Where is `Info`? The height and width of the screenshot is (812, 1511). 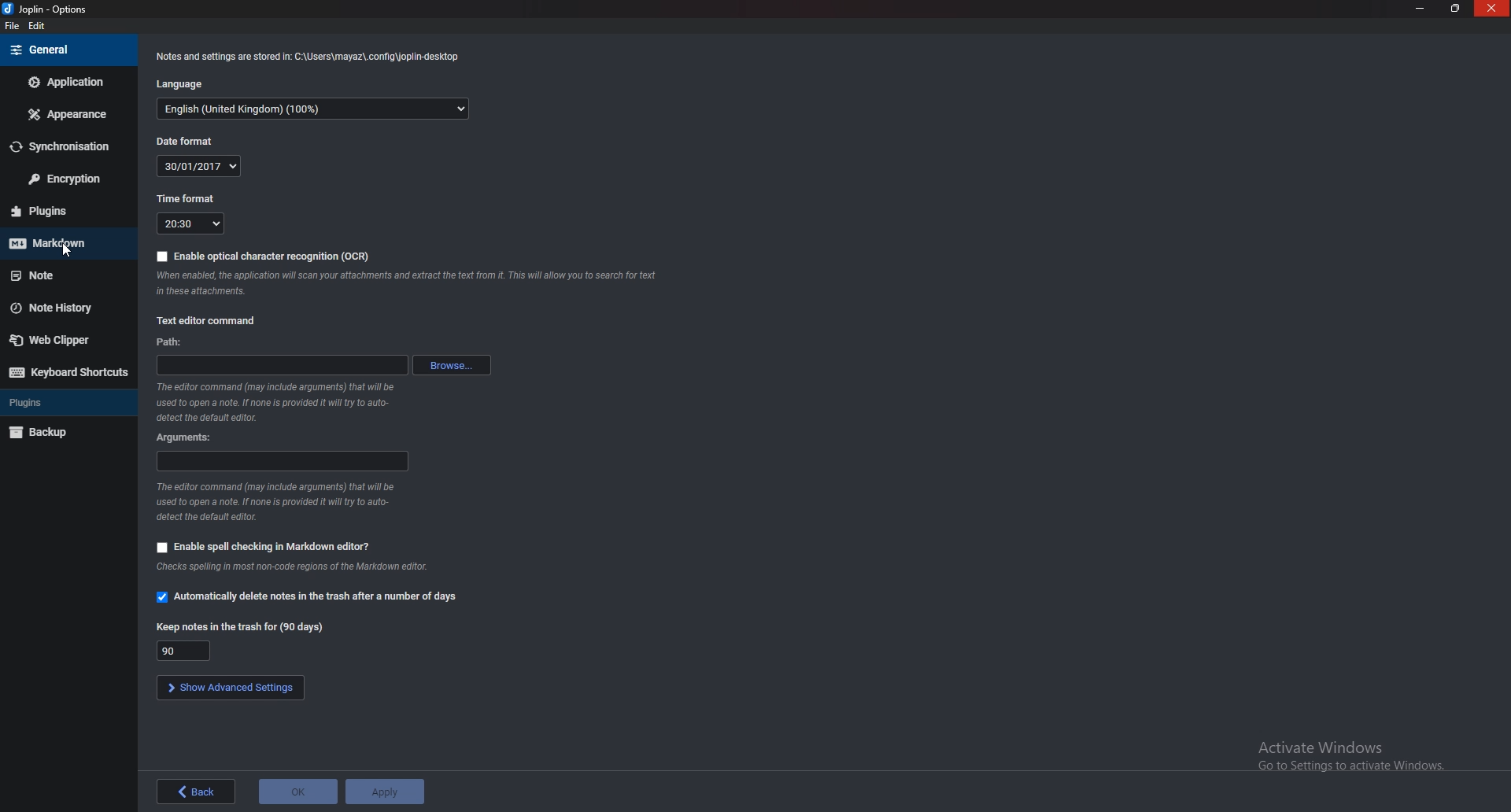
Info is located at coordinates (404, 282).